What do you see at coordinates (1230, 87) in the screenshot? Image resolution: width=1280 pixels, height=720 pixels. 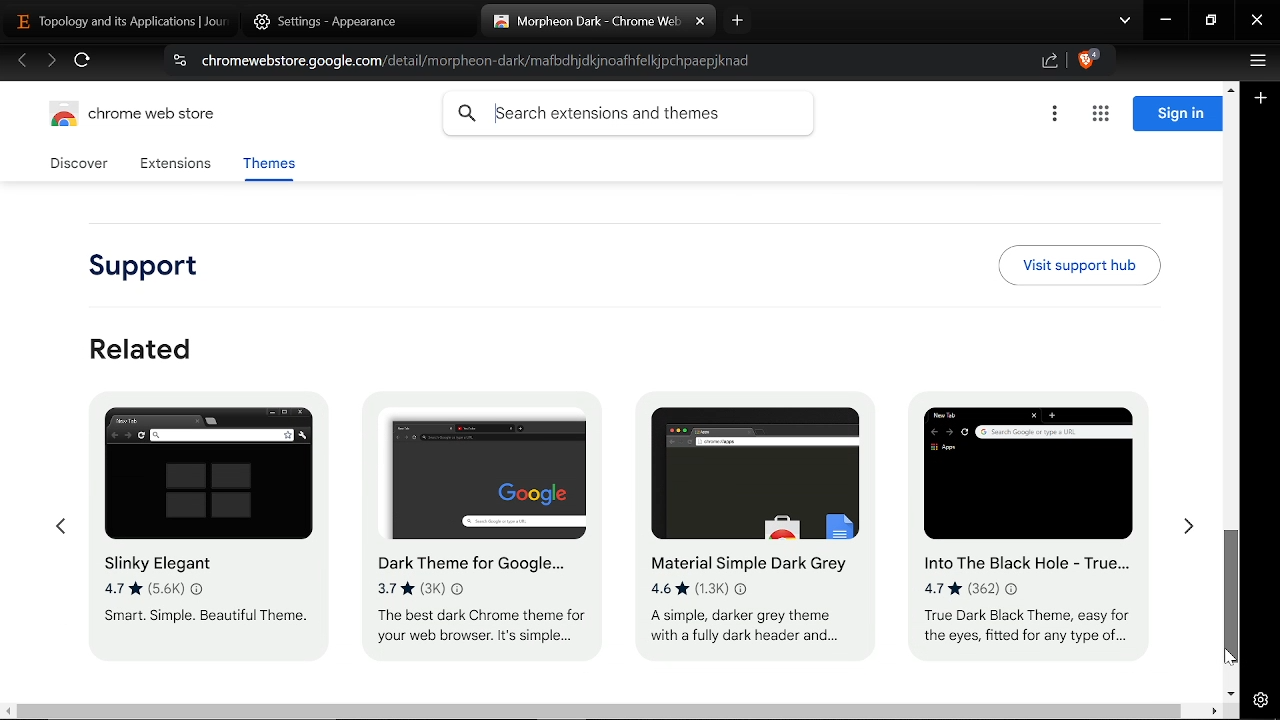 I see `Move up` at bounding box center [1230, 87].